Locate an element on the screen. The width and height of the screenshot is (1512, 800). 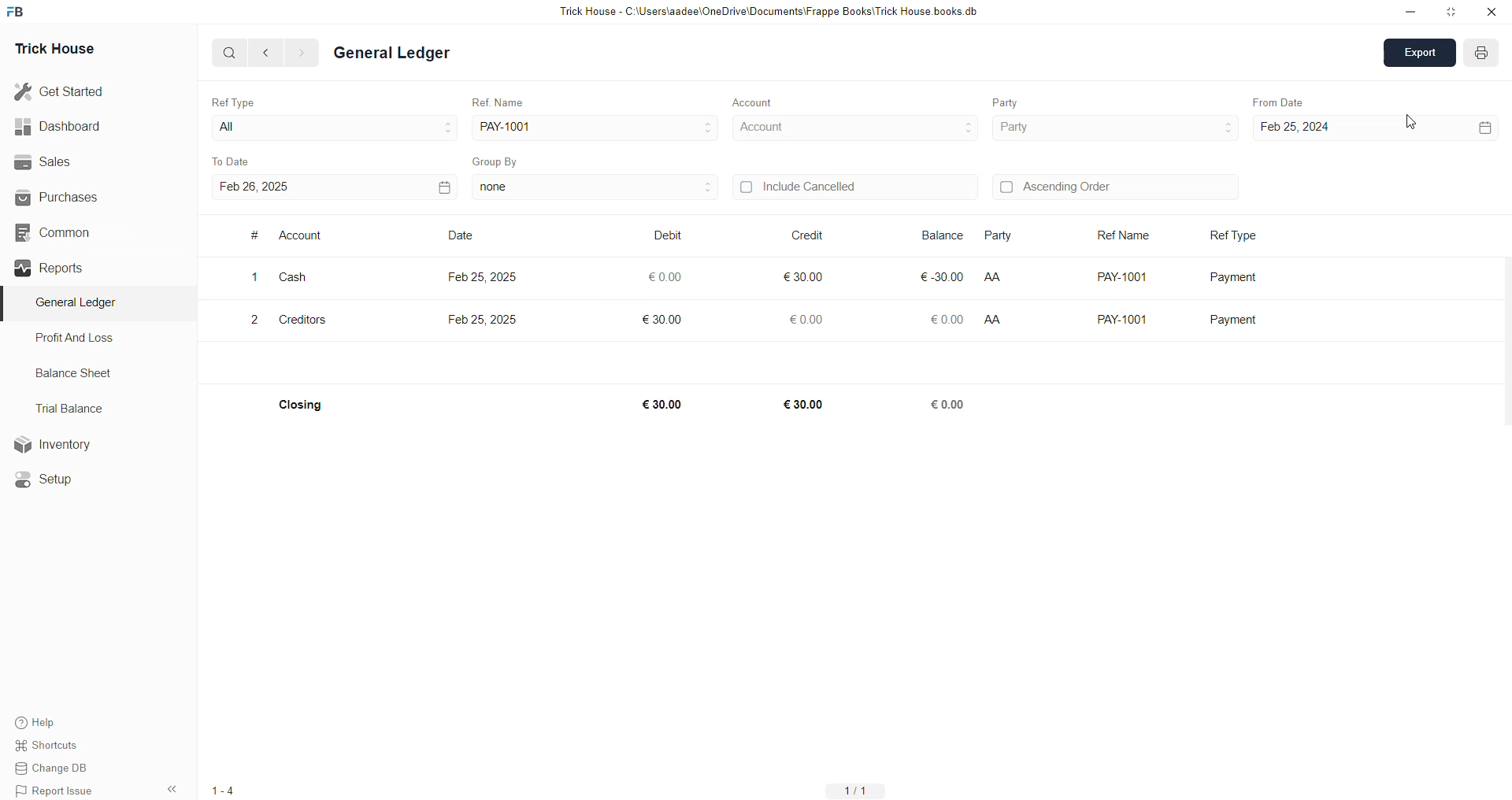
Sales is located at coordinates (41, 160).